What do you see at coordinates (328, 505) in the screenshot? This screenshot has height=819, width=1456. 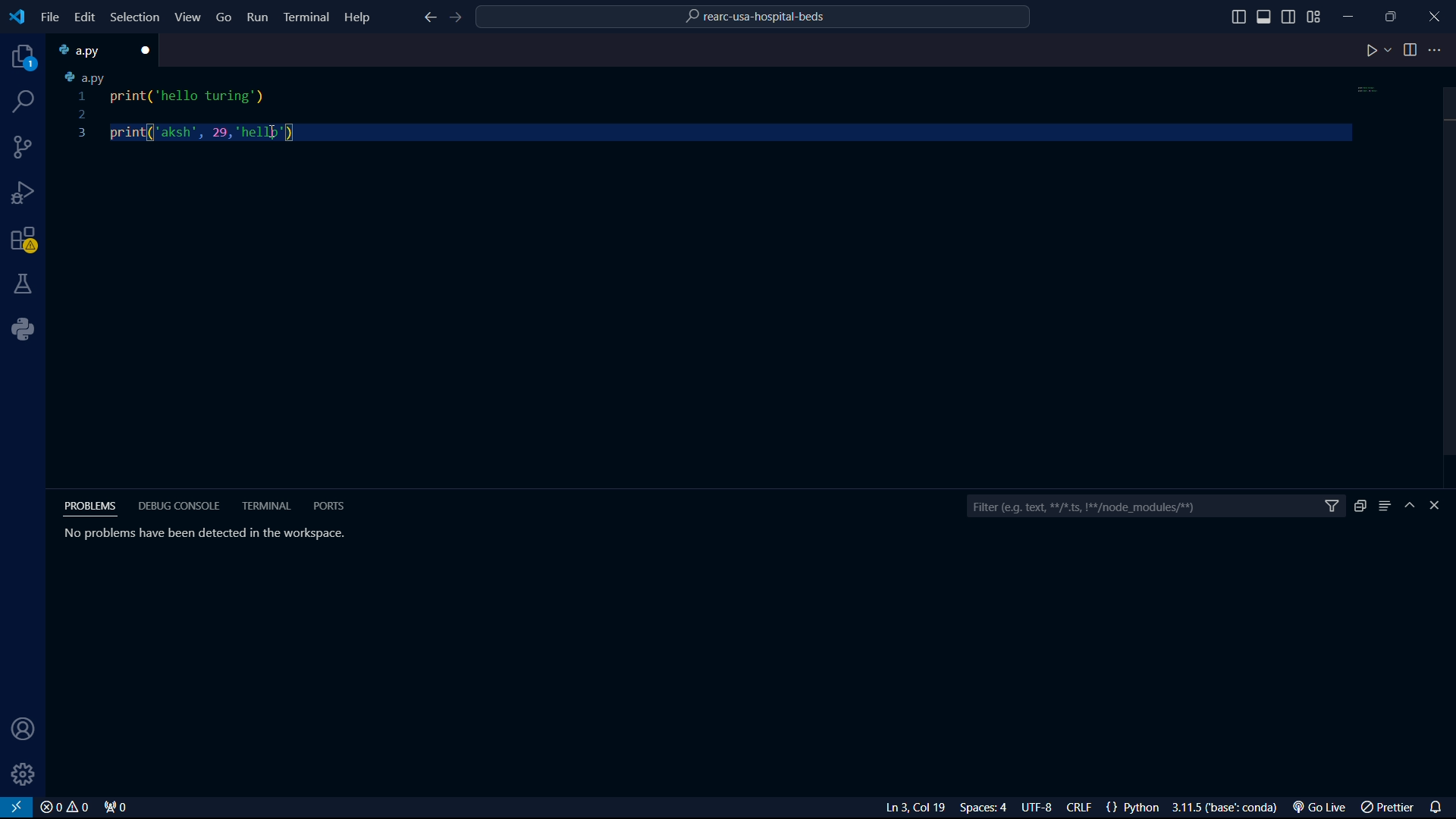 I see `ports` at bounding box center [328, 505].